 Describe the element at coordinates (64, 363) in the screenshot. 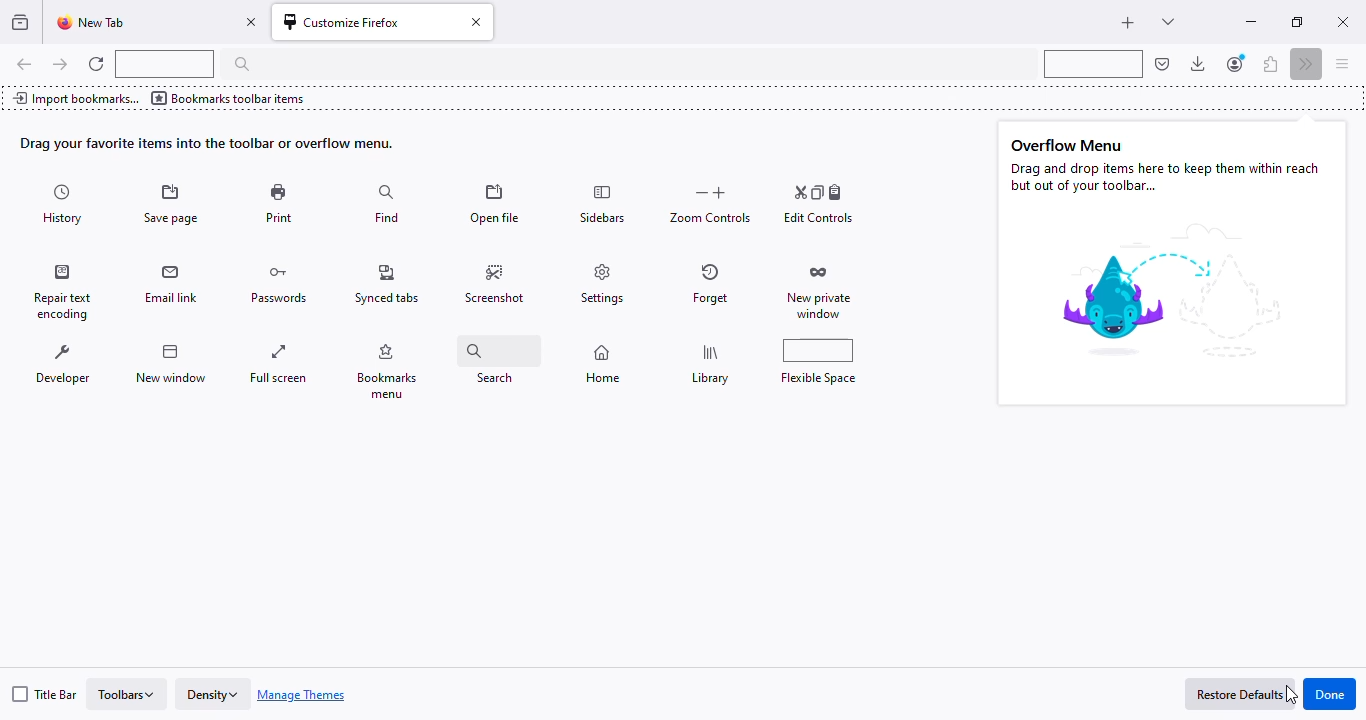

I see `developer` at that location.